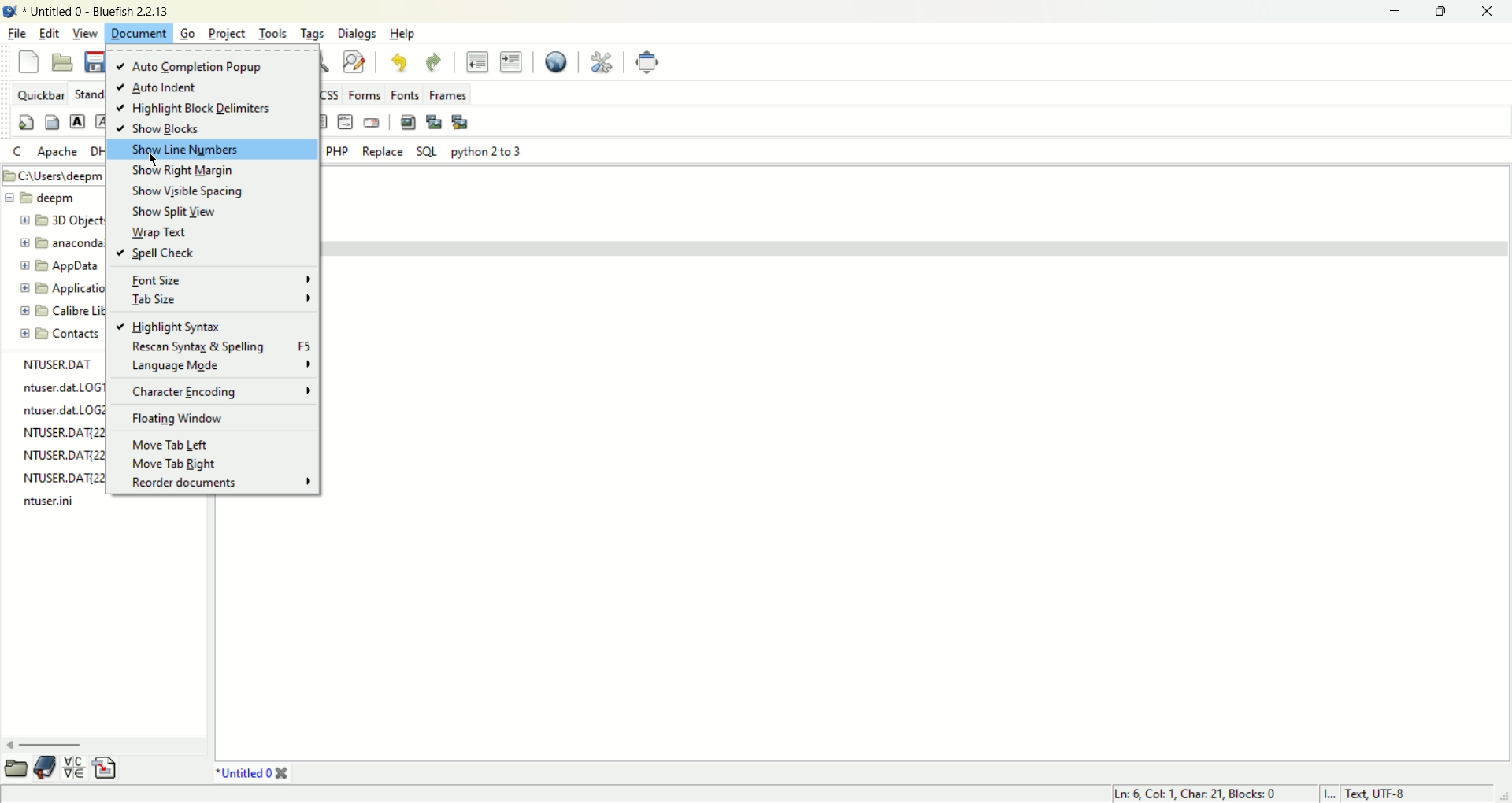  Describe the element at coordinates (404, 34) in the screenshot. I see `help` at that location.